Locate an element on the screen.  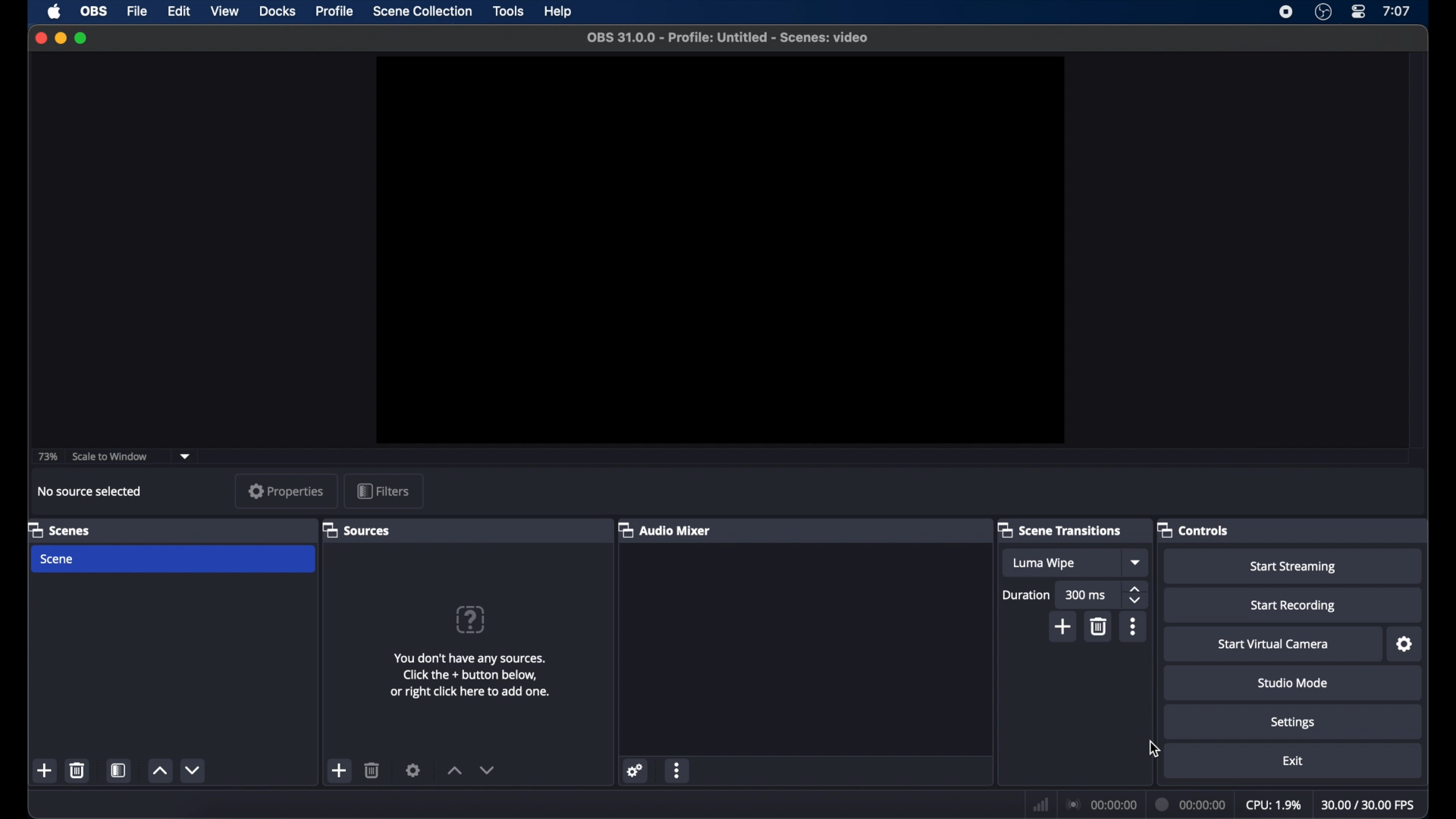
add is located at coordinates (340, 770).